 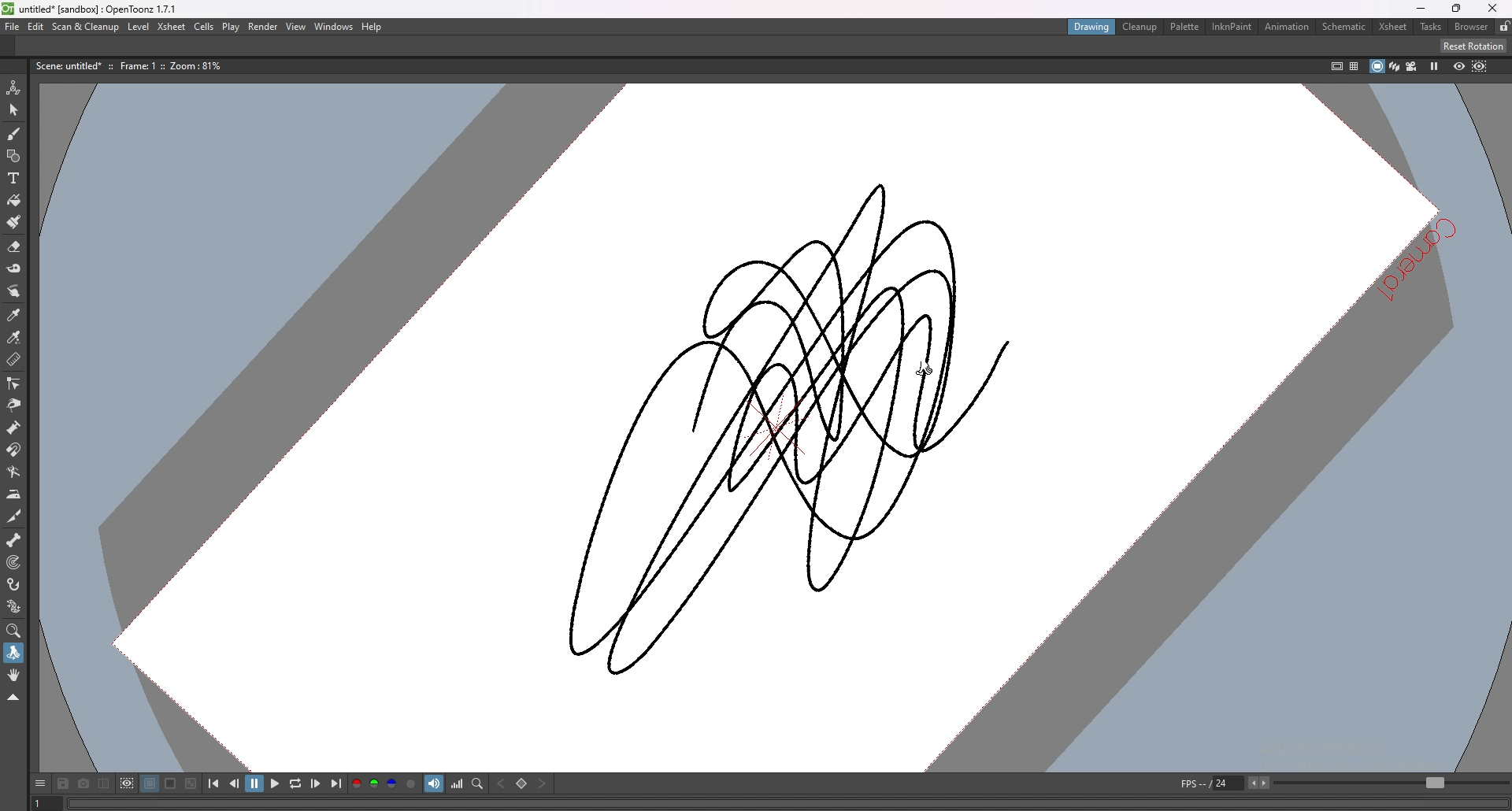 What do you see at coordinates (105, 783) in the screenshot?
I see `compare to snapshot` at bounding box center [105, 783].